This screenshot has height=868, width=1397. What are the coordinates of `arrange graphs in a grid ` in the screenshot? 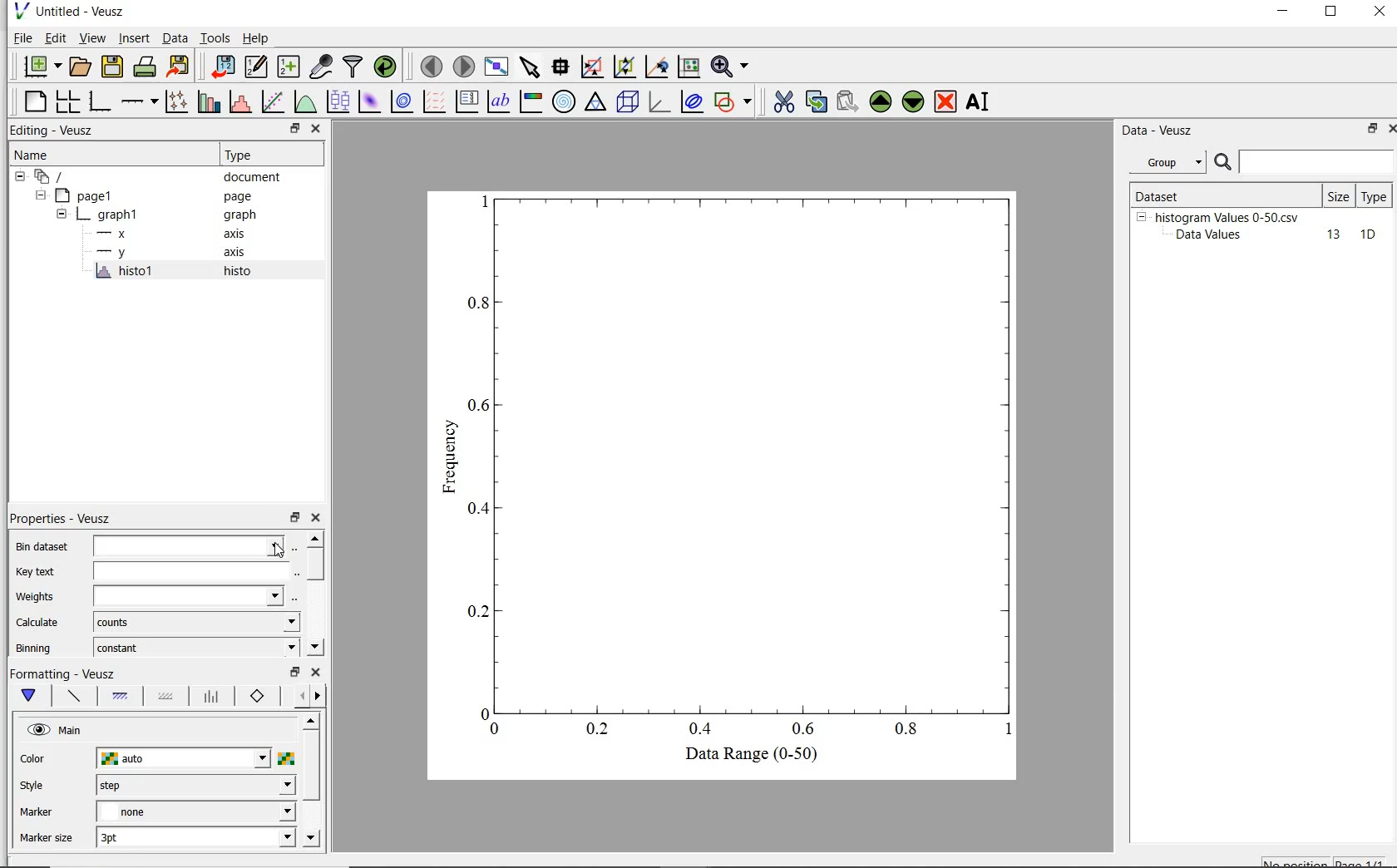 It's located at (70, 99).